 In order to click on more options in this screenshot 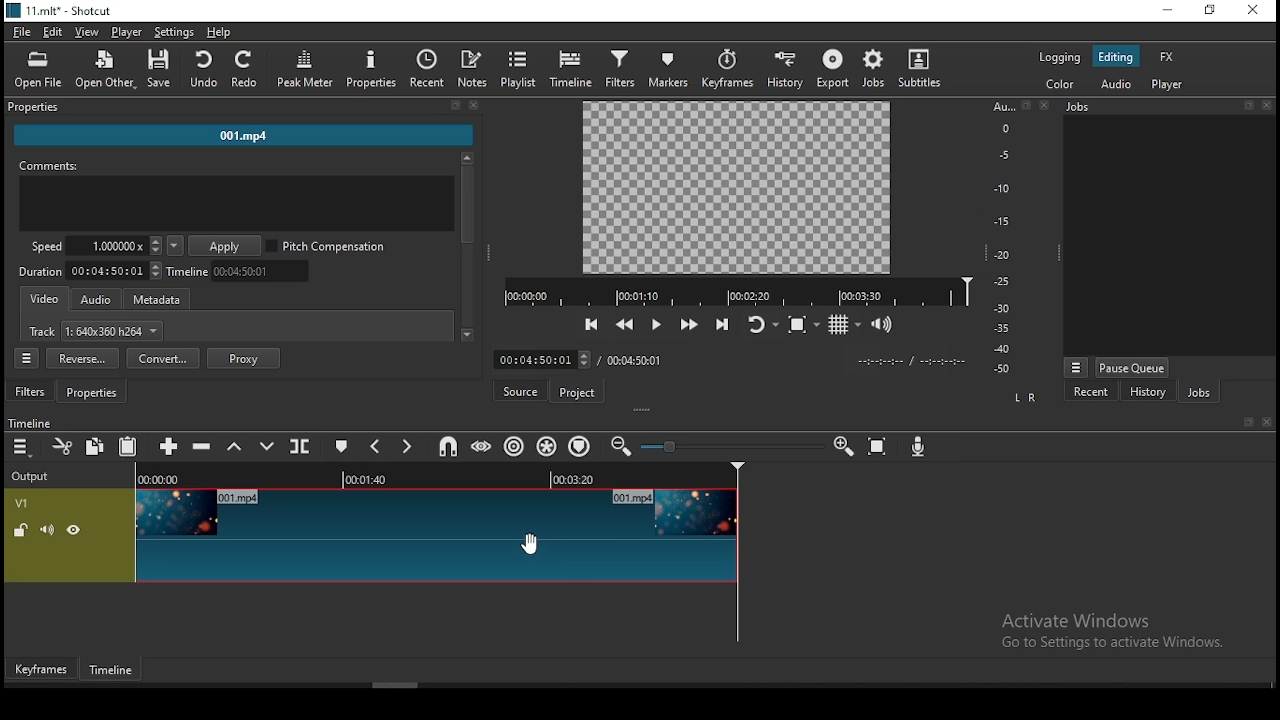, I will do `click(1074, 367)`.